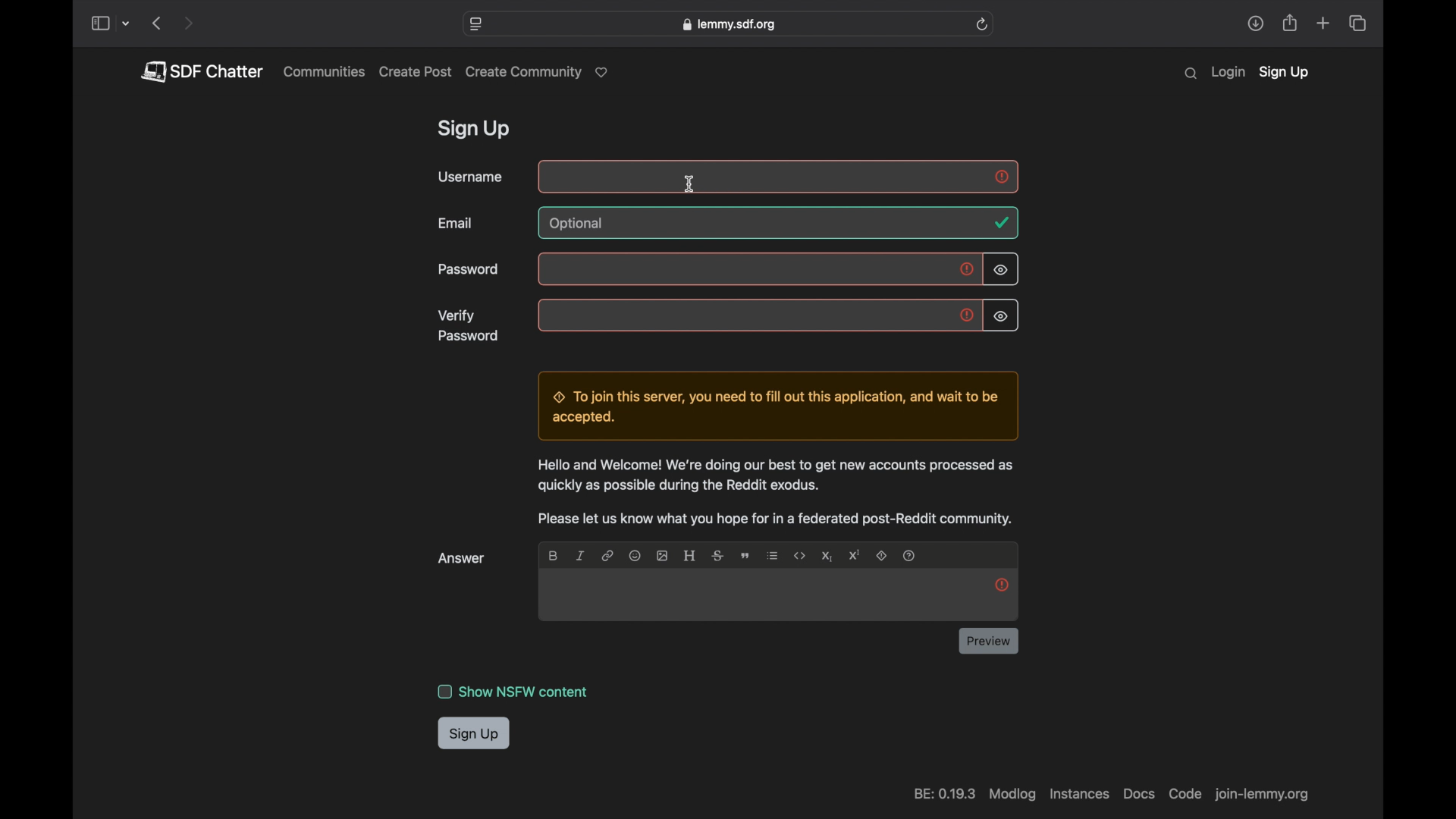 The height and width of the screenshot is (819, 1456). Describe the element at coordinates (634, 555) in the screenshot. I see `emoji` at that location.